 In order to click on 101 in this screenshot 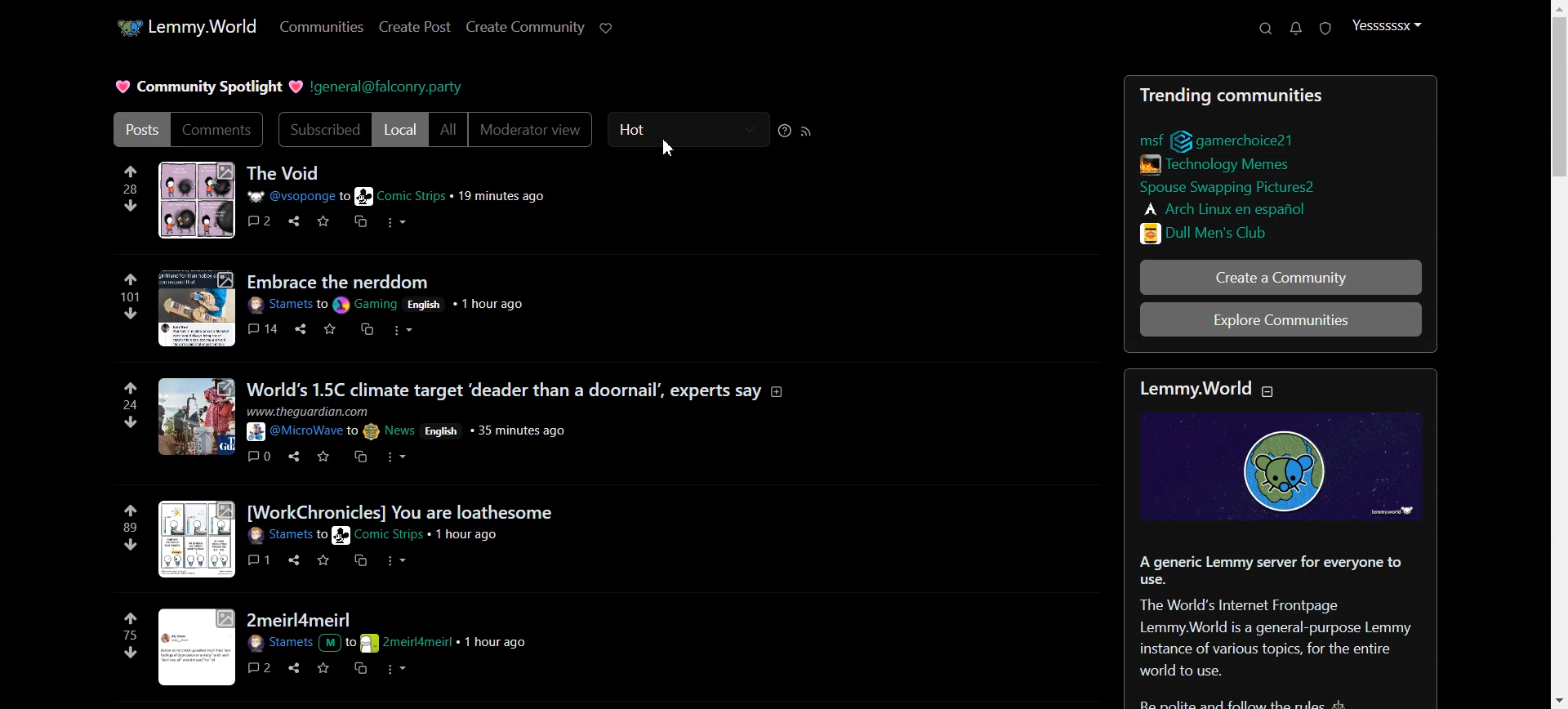, I will do `click(129, 296)`.